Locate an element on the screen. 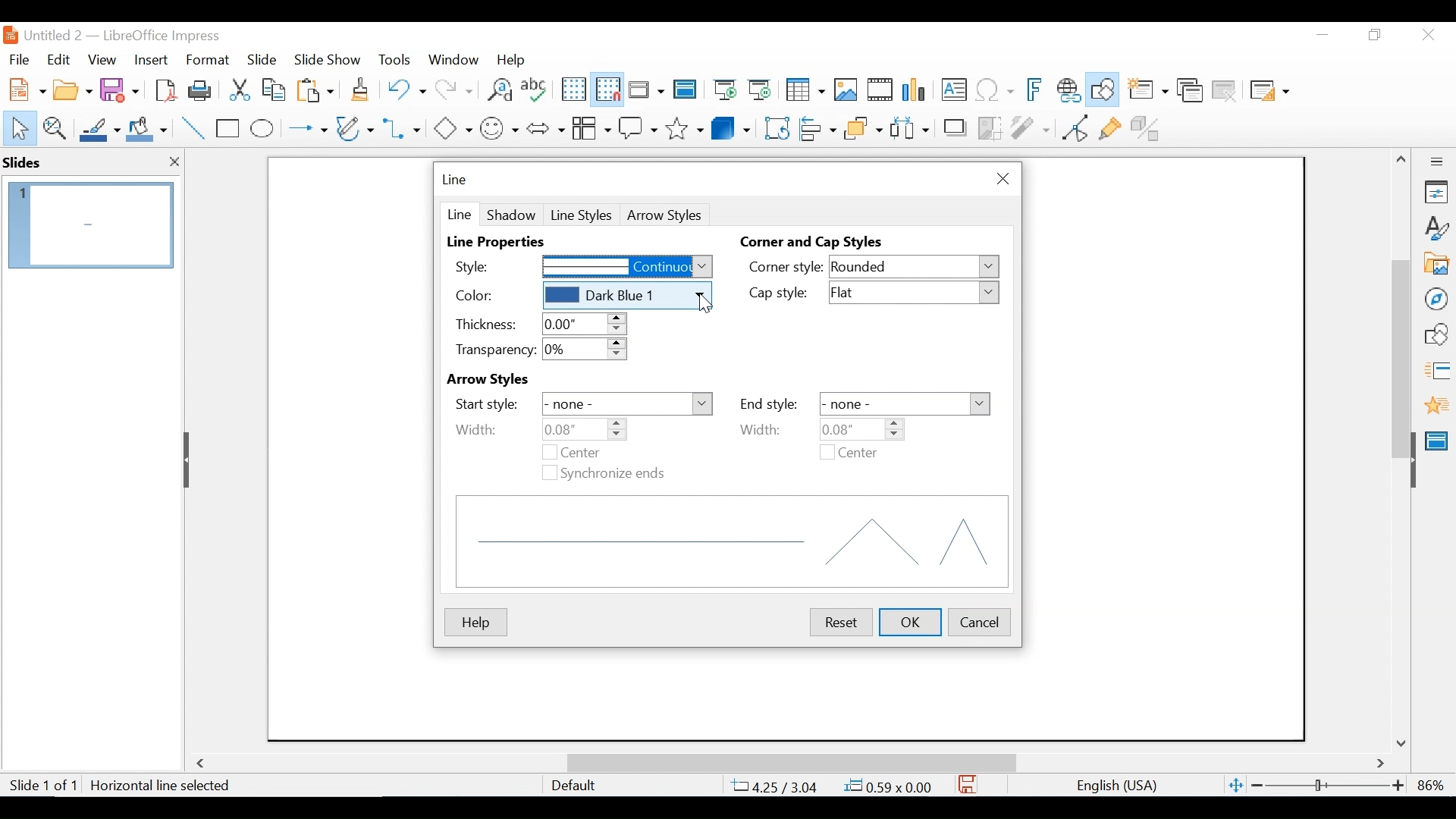 The image size is (1456, 819). 0.08" is located at coordinates (585, 429).